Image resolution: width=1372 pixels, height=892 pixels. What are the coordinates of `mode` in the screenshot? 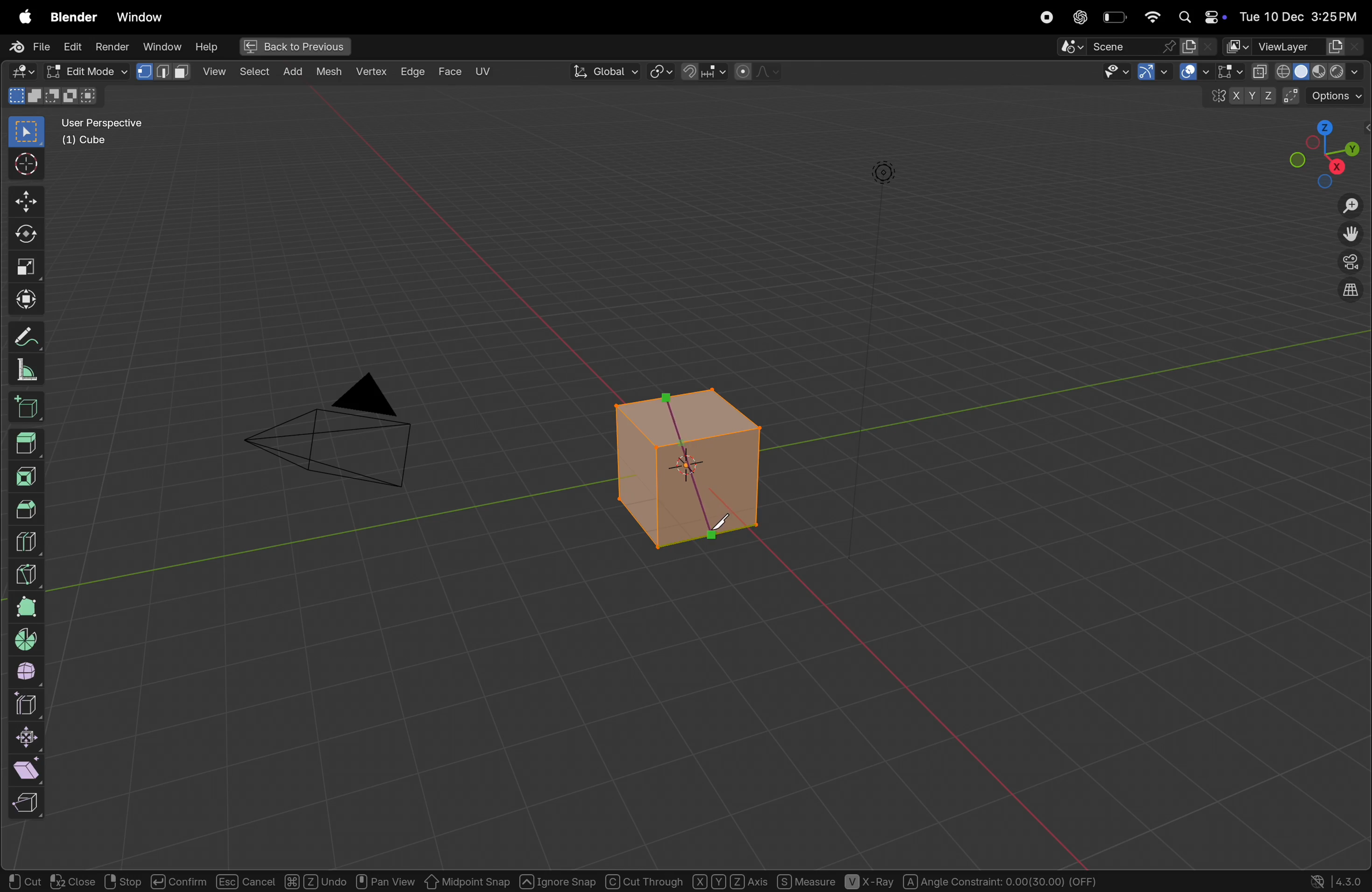 It's located at (55, 96).